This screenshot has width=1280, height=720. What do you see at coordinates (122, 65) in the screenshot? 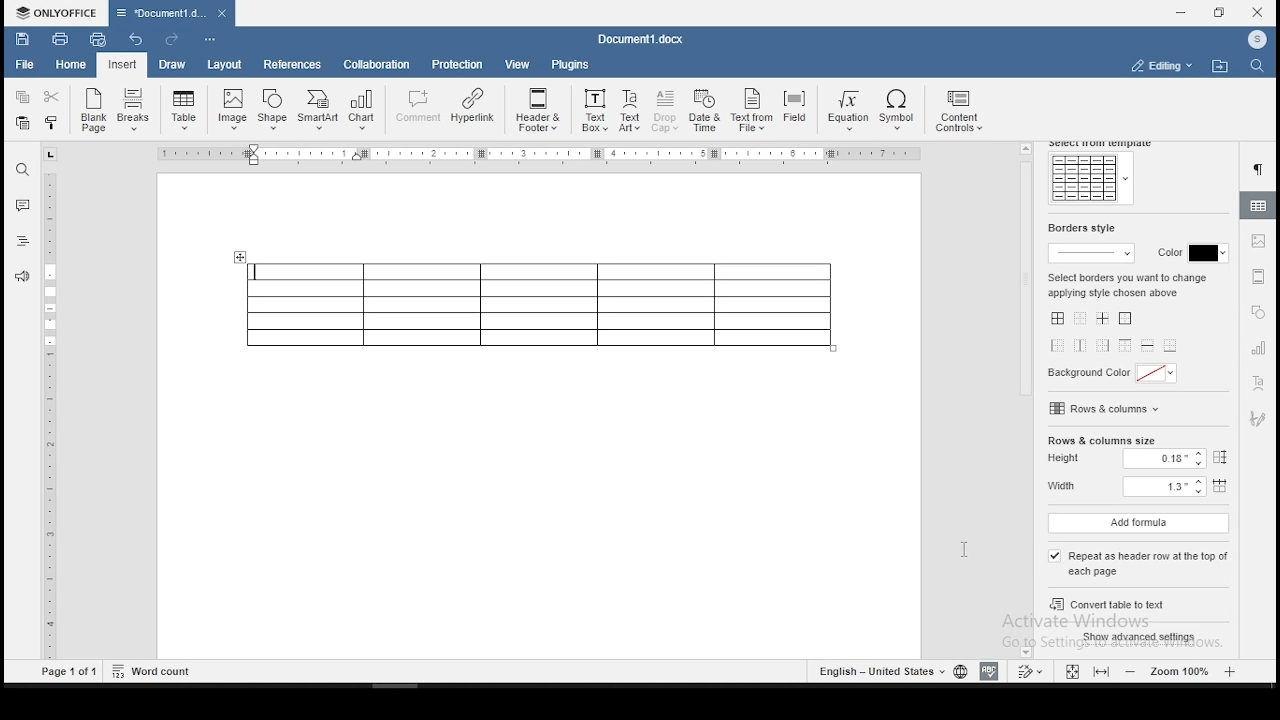
I see `input` at bounding box center [122, 65].